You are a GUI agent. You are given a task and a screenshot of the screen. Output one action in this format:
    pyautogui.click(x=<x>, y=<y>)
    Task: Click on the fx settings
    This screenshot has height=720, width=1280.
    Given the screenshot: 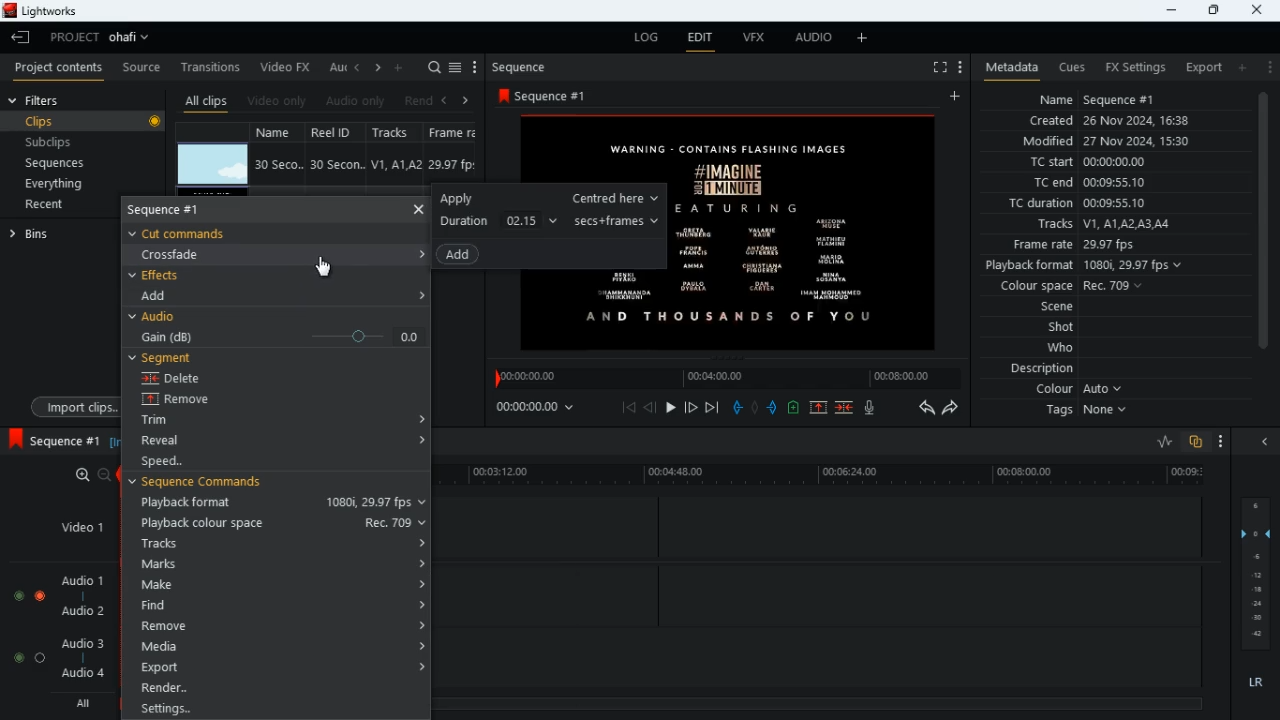 What is the action you would take?
    pyautogui.click(x=1134, y=66)
    